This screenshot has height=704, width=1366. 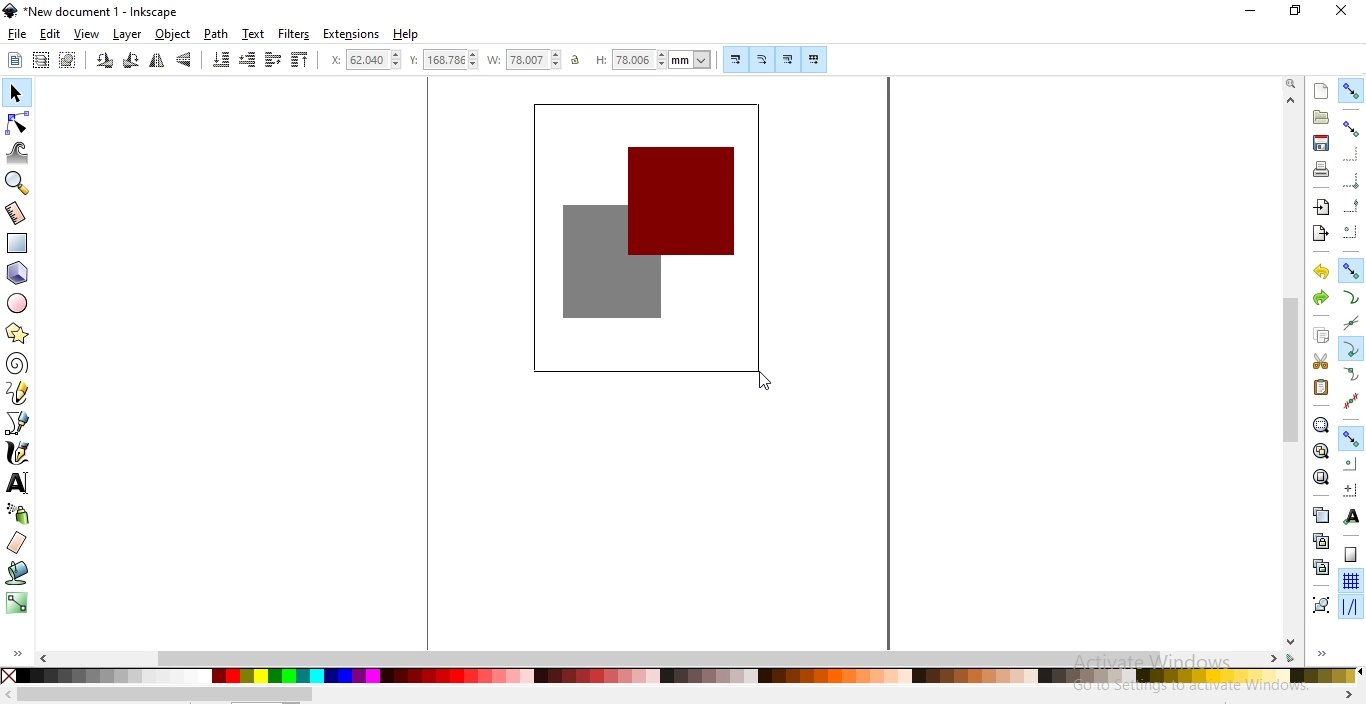 What do you see at coordinates (18, 304) in the screenshot?
I see `create circles, arcs and ellipses` at bounding box center [18, 304].